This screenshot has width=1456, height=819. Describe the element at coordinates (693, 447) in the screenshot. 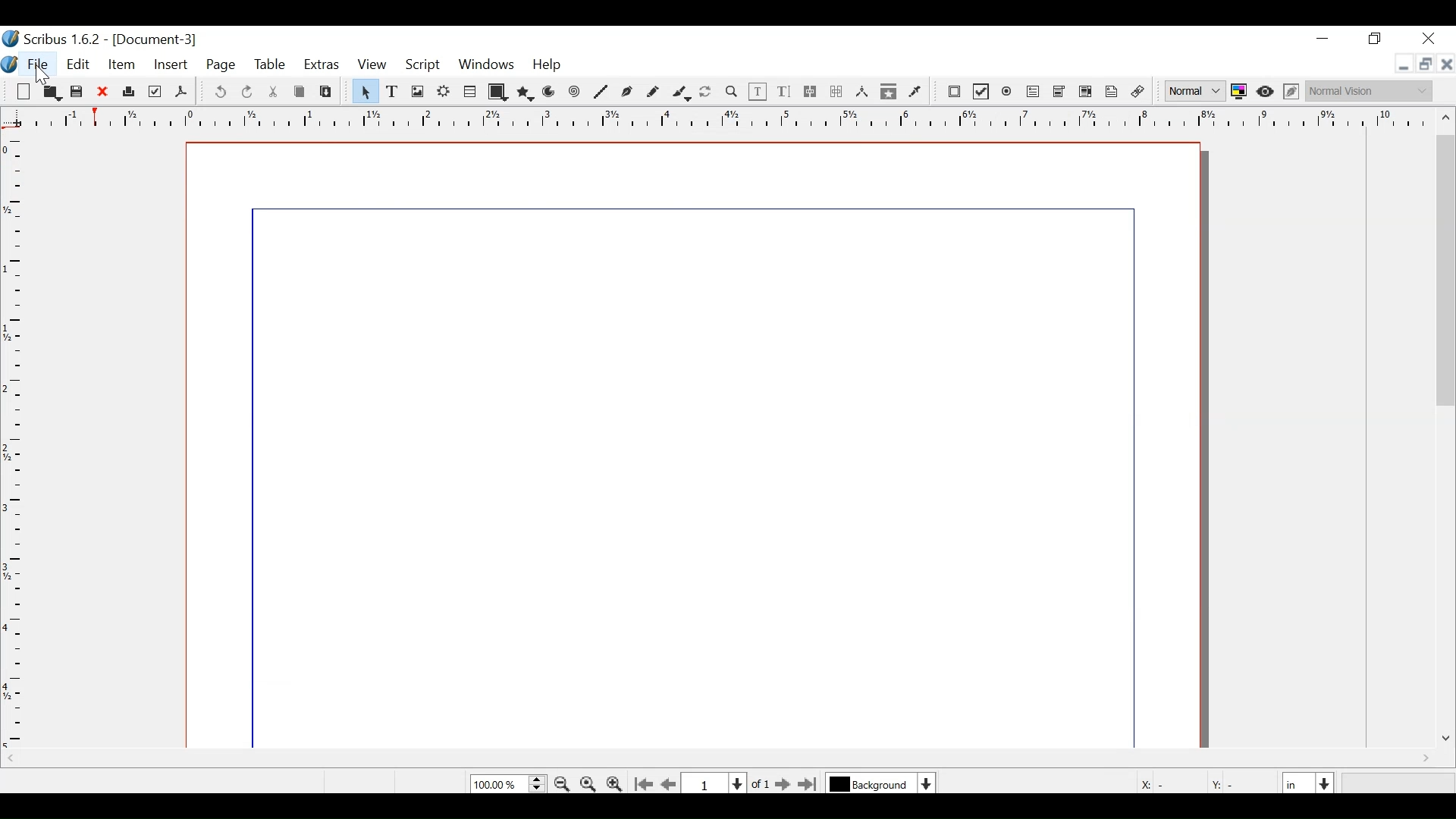

I see `File` at that location.